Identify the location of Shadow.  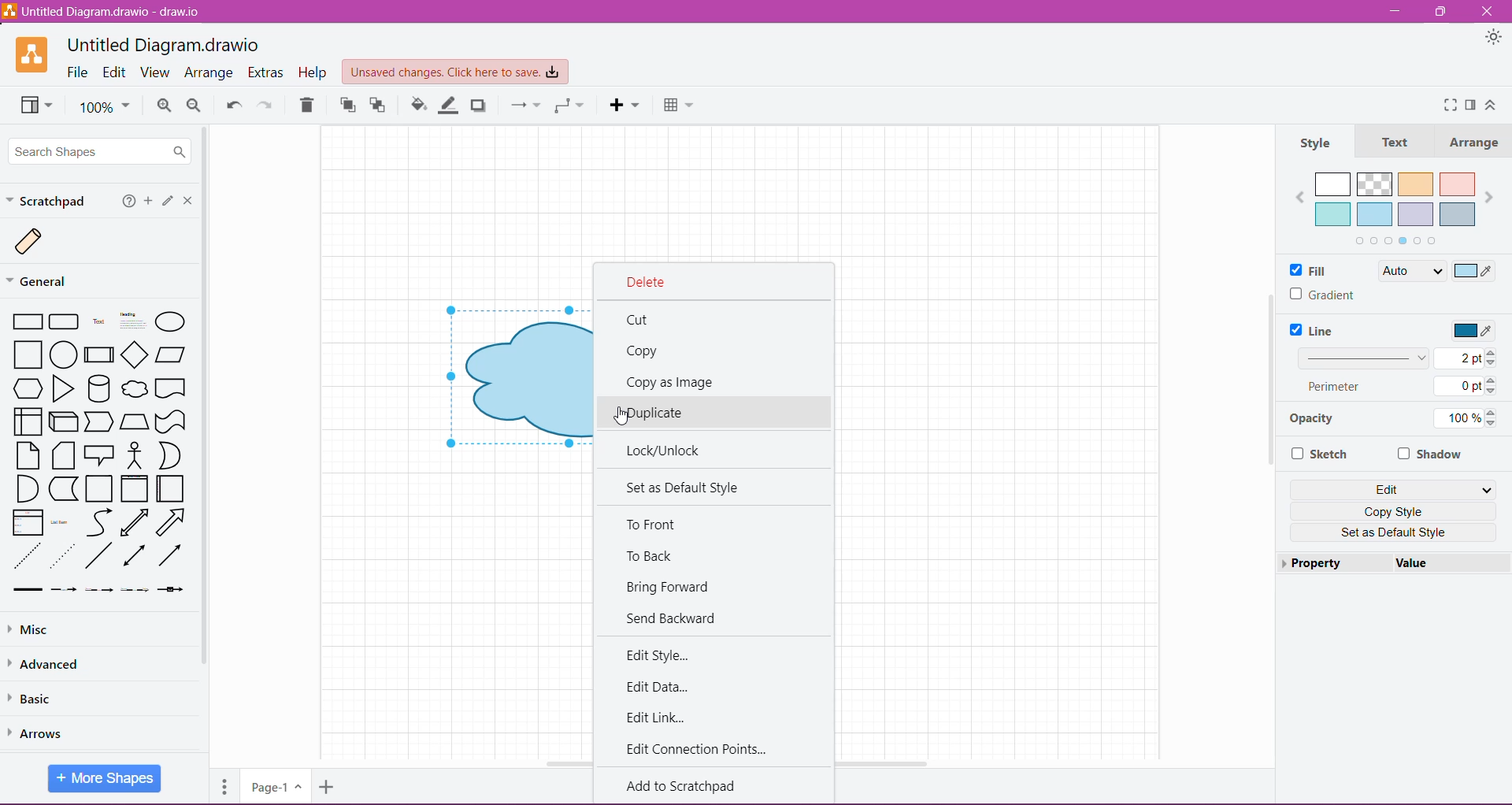
(479, 106).